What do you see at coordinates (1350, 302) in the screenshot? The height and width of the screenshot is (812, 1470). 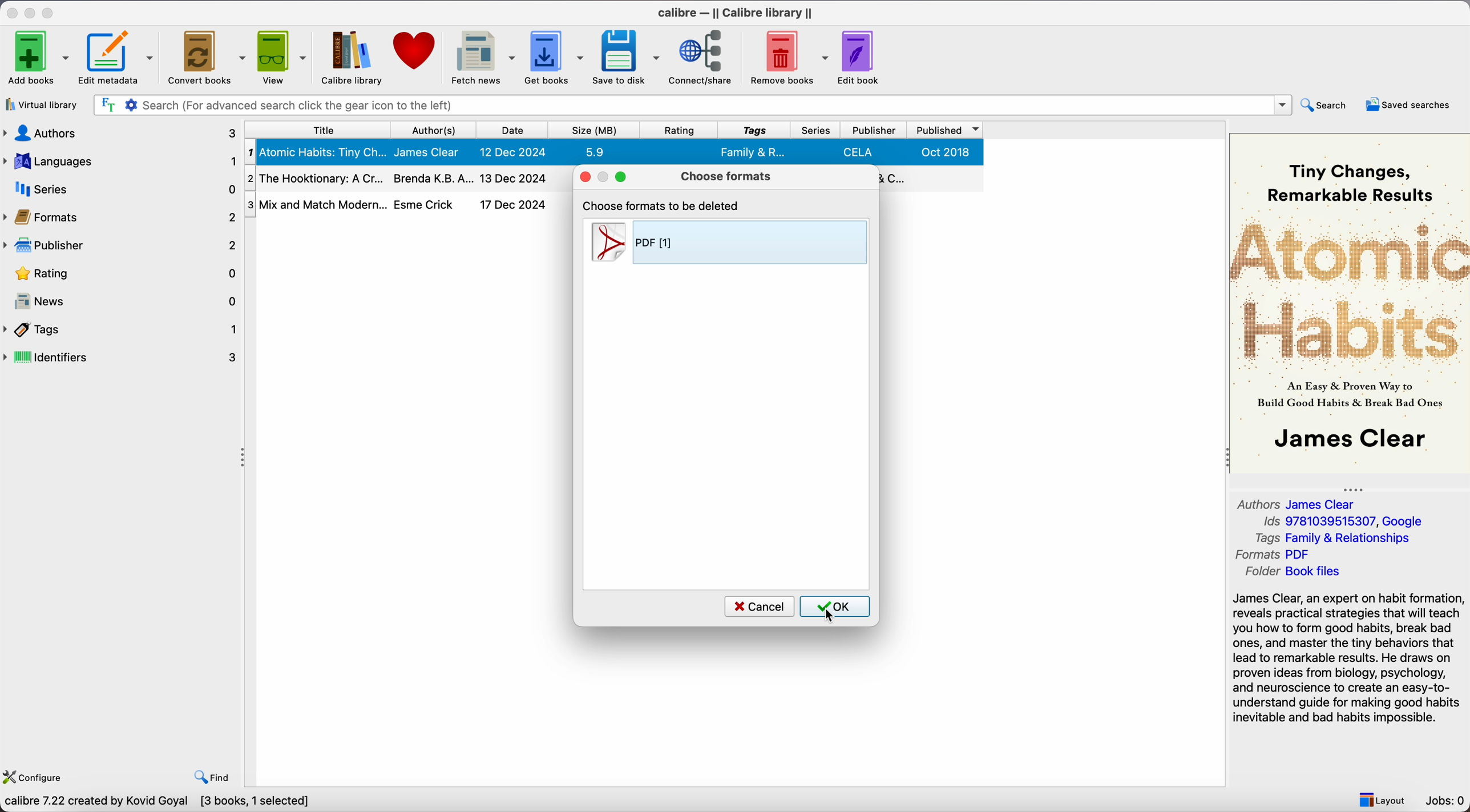 I see `book cover preview` at bounding box center [1350, 302].